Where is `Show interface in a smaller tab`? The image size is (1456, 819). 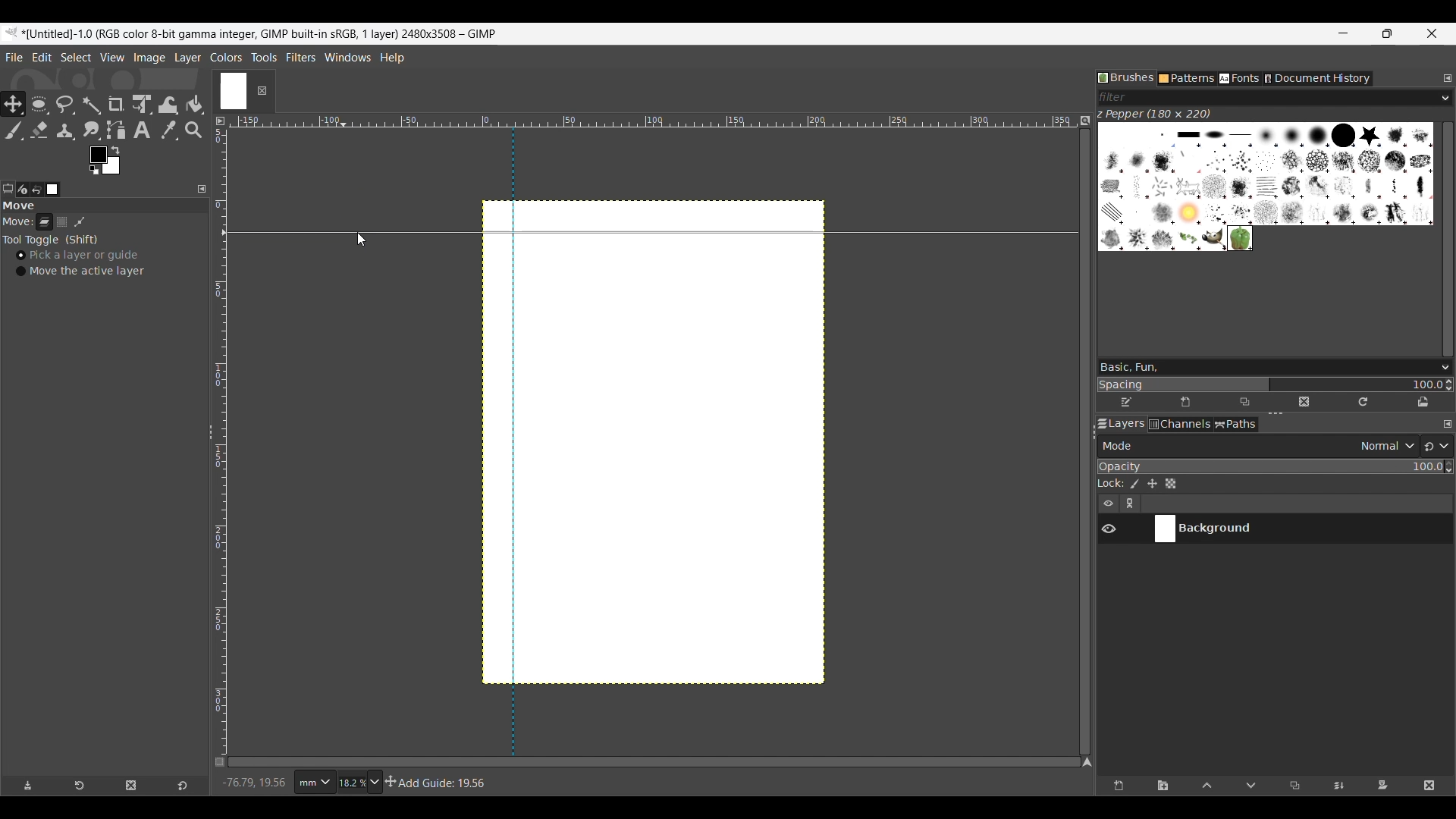
Show interface in a smaller tab is located at coordinates (1387, 33).